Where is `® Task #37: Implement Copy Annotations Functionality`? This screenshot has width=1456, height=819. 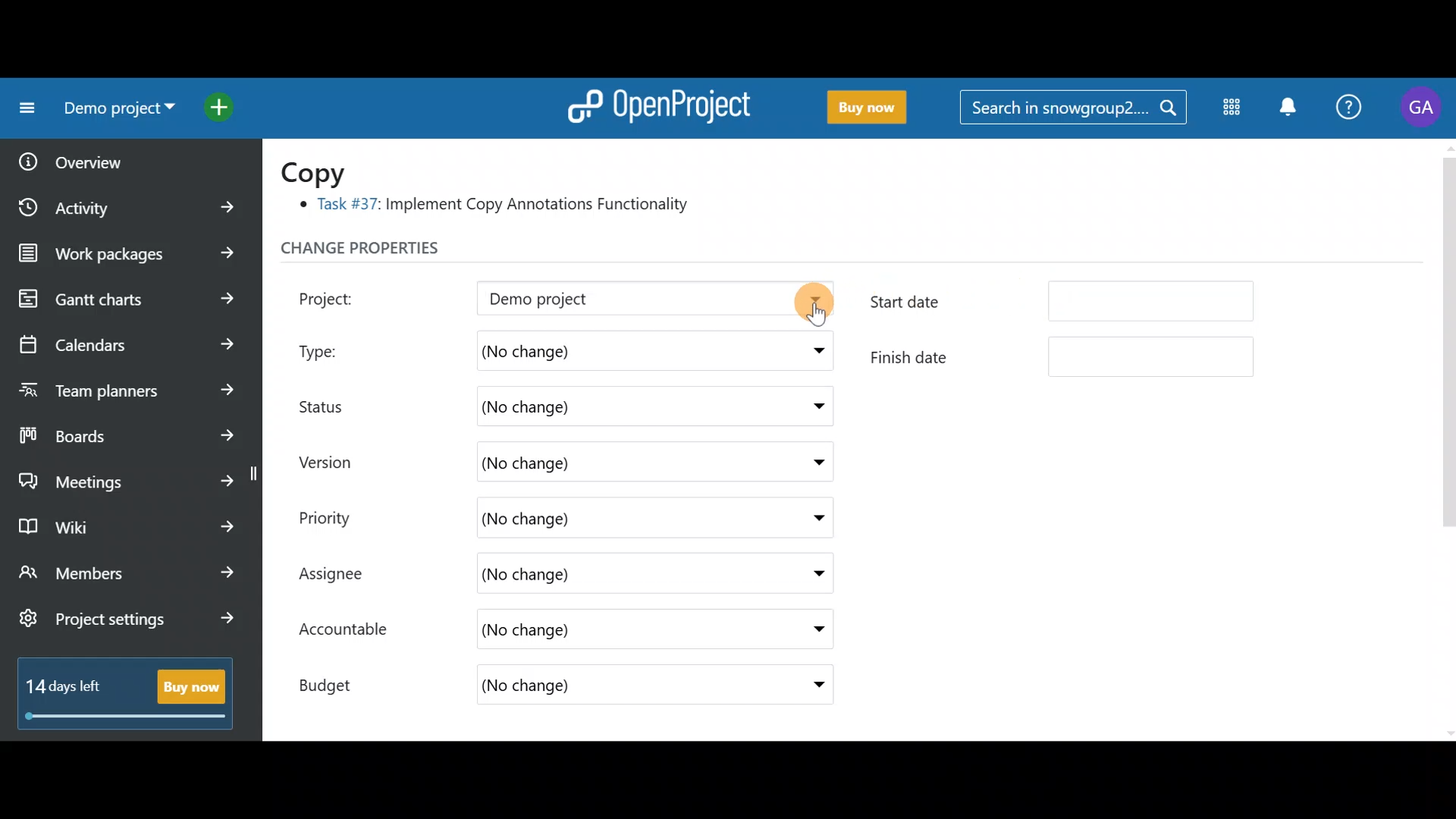 ® Task #37: Implement Copy Annotations Functionality is located at coordinates (500, 207).